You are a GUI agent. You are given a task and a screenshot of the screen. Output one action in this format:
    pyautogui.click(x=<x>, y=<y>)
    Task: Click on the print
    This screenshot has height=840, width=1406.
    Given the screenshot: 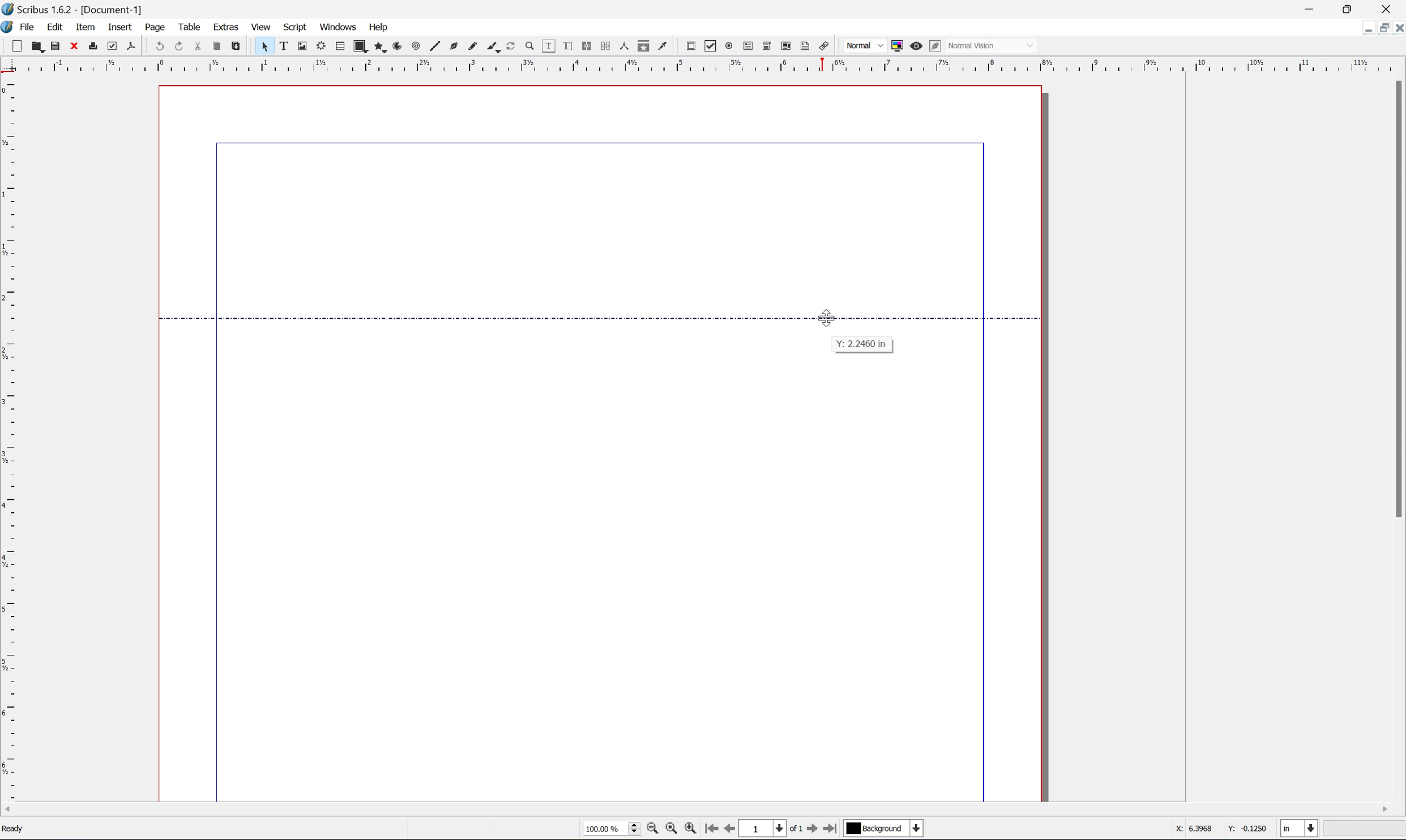 What is the action you would take?
    pyautogui.click(x=92, y=45)
    